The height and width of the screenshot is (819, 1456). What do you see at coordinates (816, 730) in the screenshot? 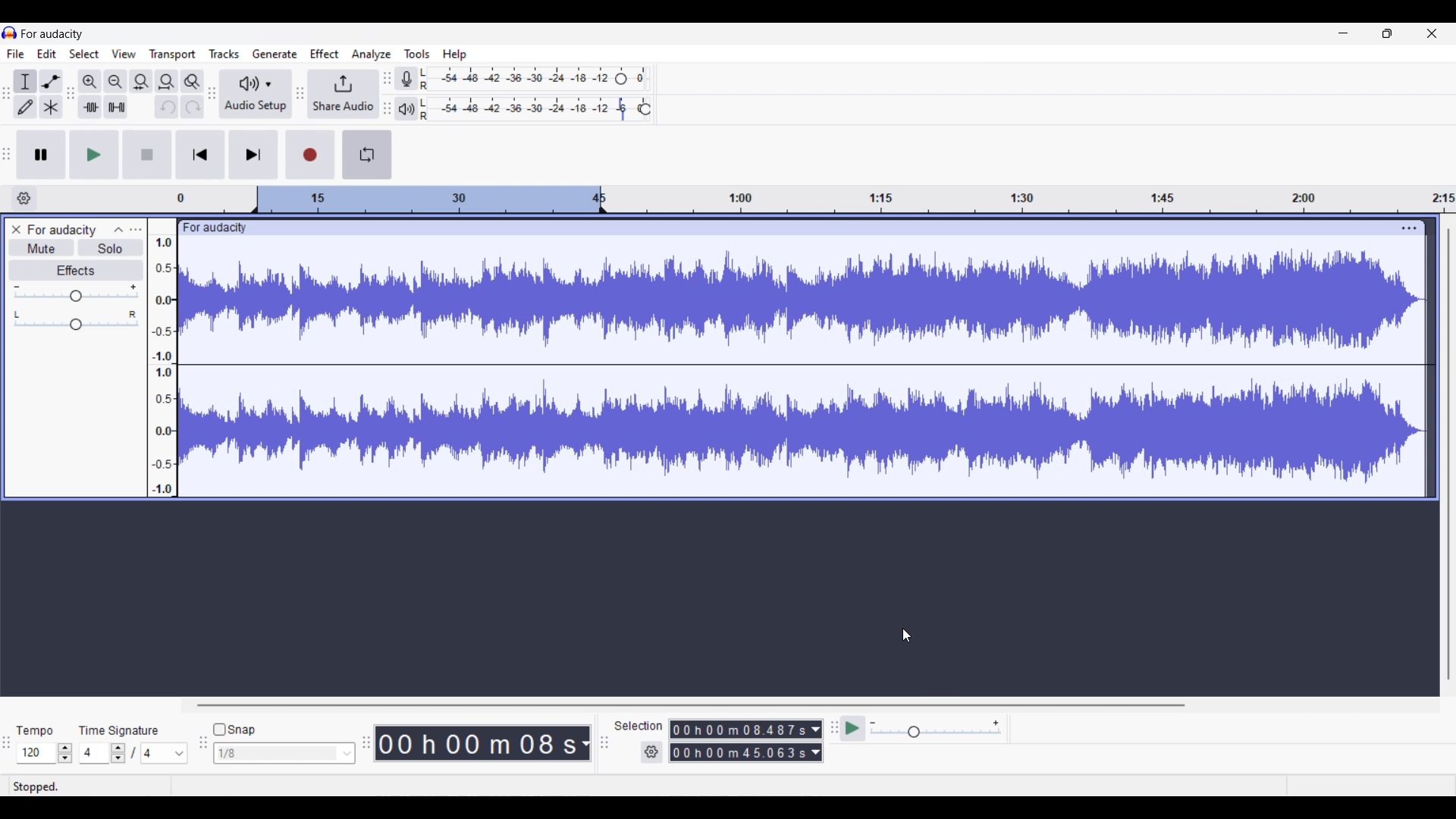
I see `Duration measurement` at bounding box center [816, 730].